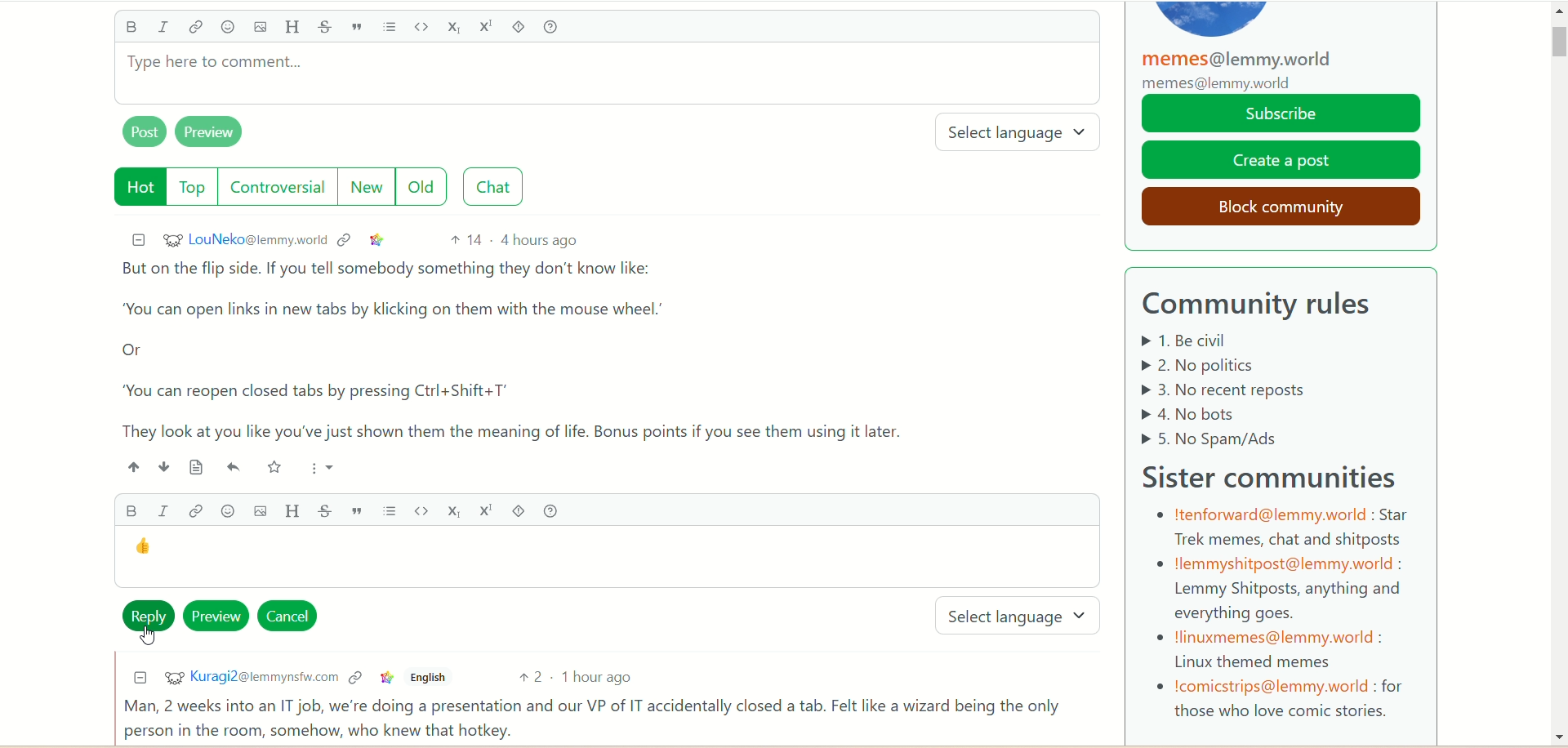  I want to click on help, so click(560, 28).